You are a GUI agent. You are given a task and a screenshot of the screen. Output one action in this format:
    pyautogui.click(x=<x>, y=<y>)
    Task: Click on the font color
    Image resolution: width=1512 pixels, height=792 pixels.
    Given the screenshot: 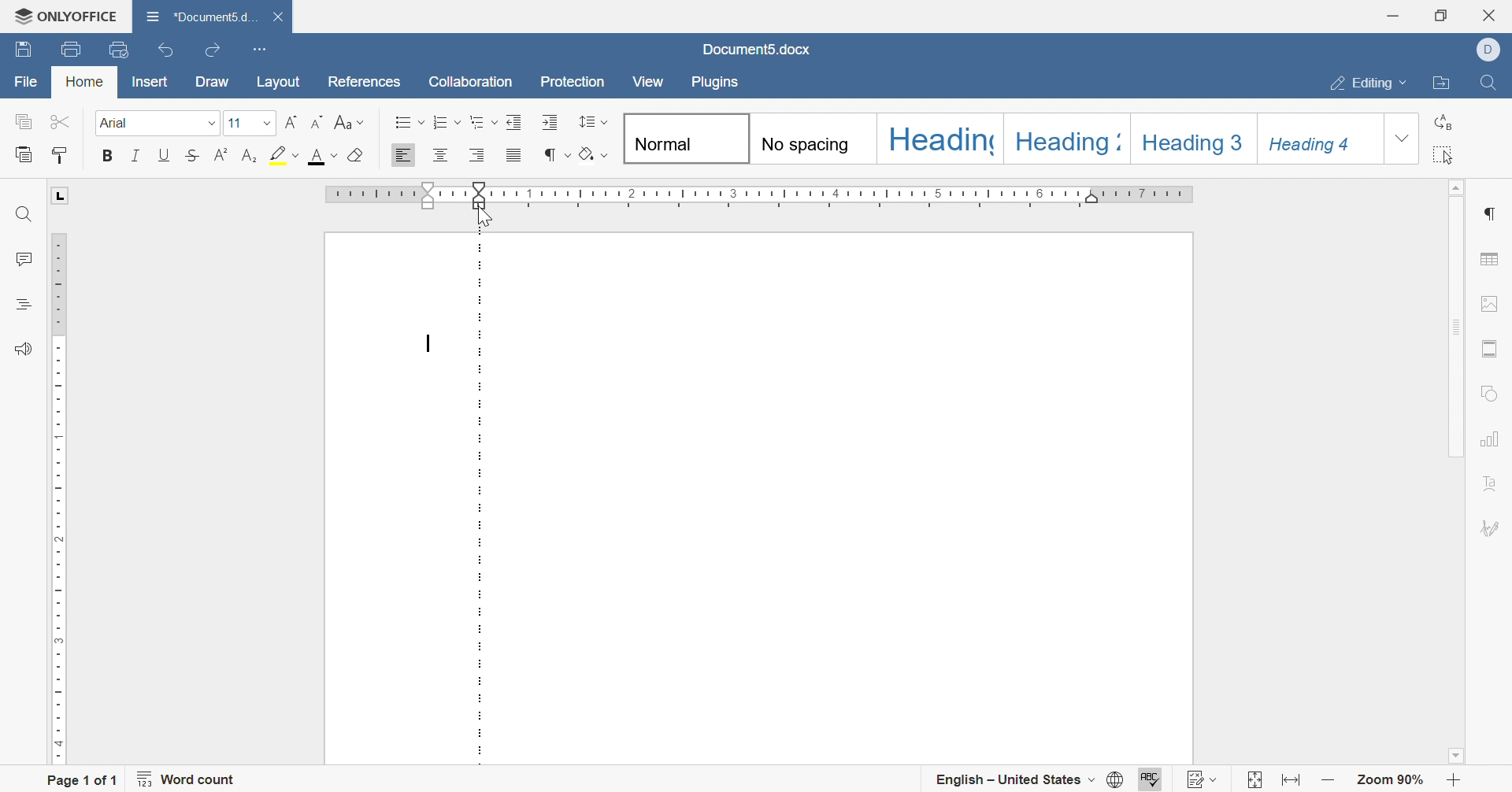 What is the action you would take?
    pyautogui.click(x=322, y=154)
    